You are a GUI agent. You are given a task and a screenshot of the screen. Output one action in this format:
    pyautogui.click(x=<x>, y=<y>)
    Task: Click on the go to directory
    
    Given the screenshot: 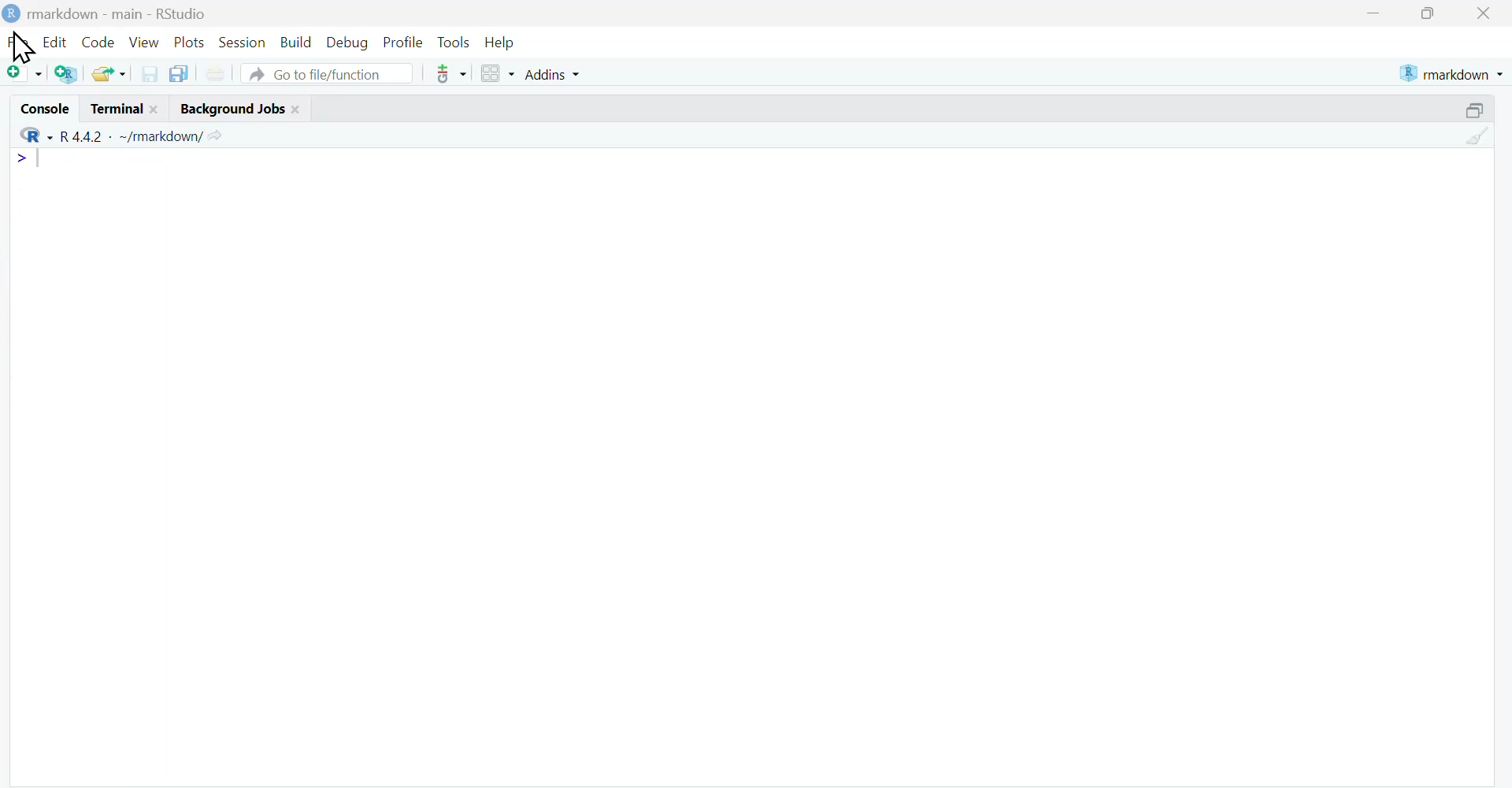 What is the action you would take?
    pyautogui.click(x=217, y=136)
    